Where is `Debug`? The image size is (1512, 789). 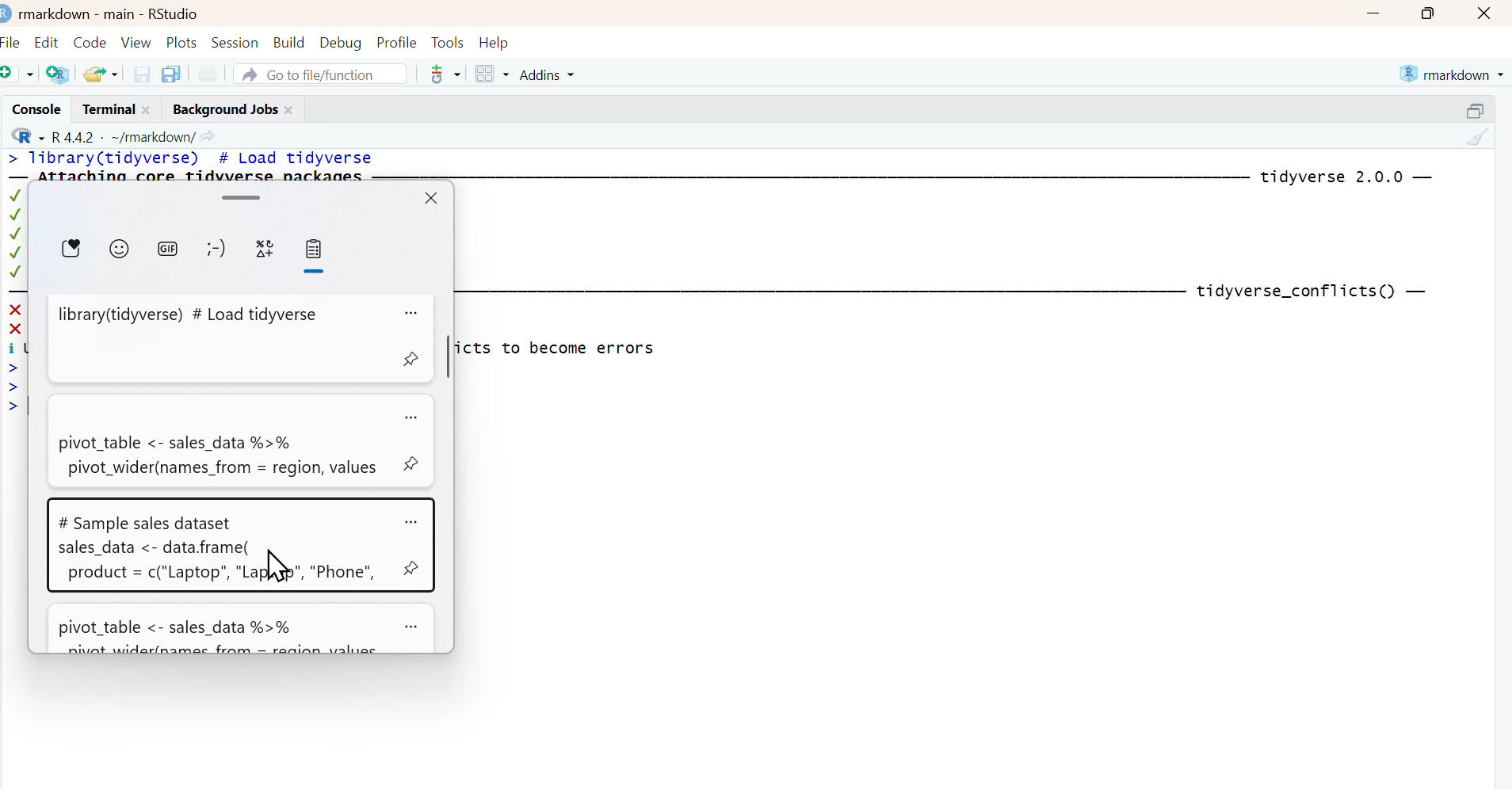 Debug is located at coordinates (341, 40).